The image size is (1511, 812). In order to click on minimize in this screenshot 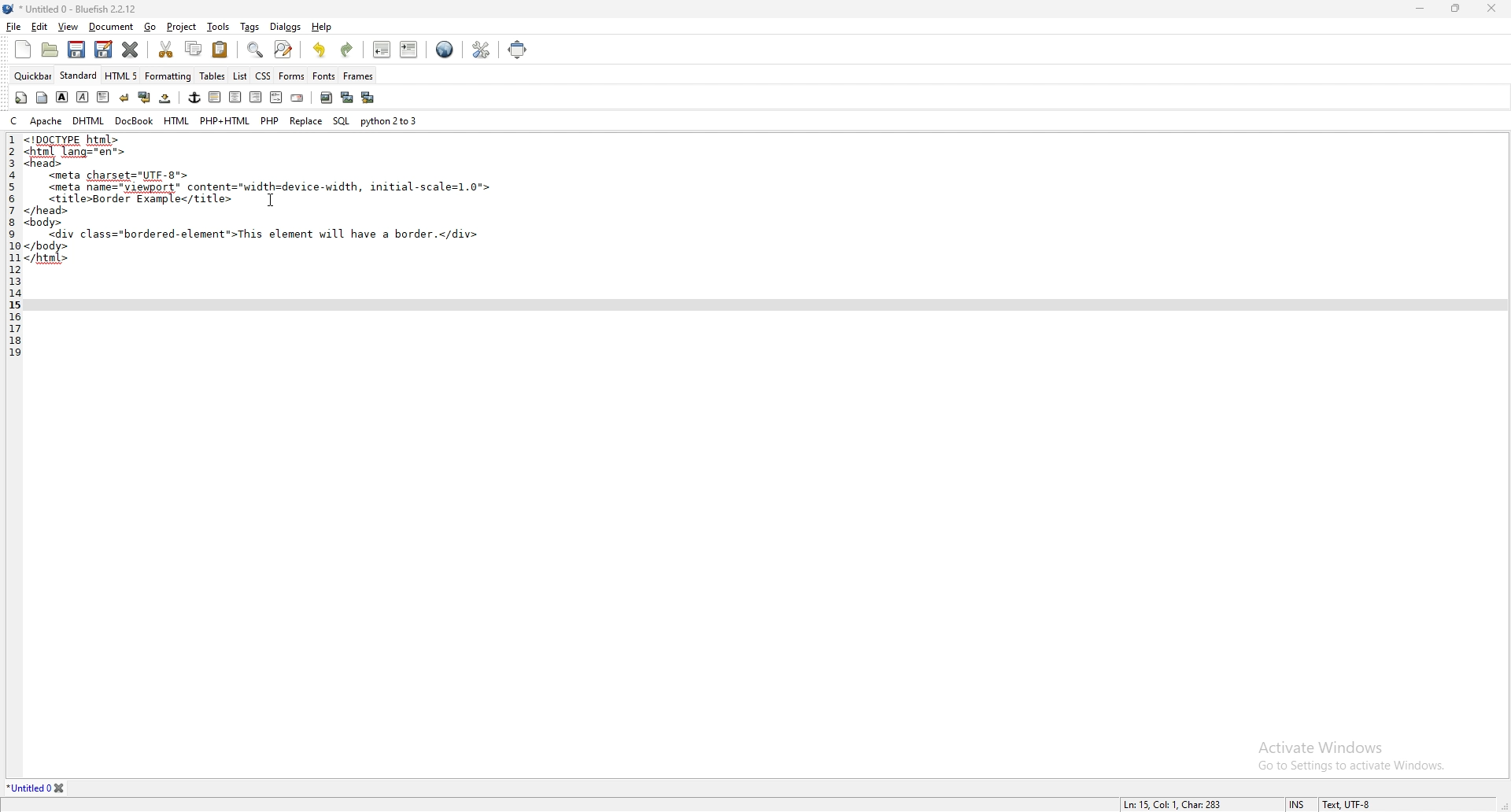, I will do `click(1422, 8)`.